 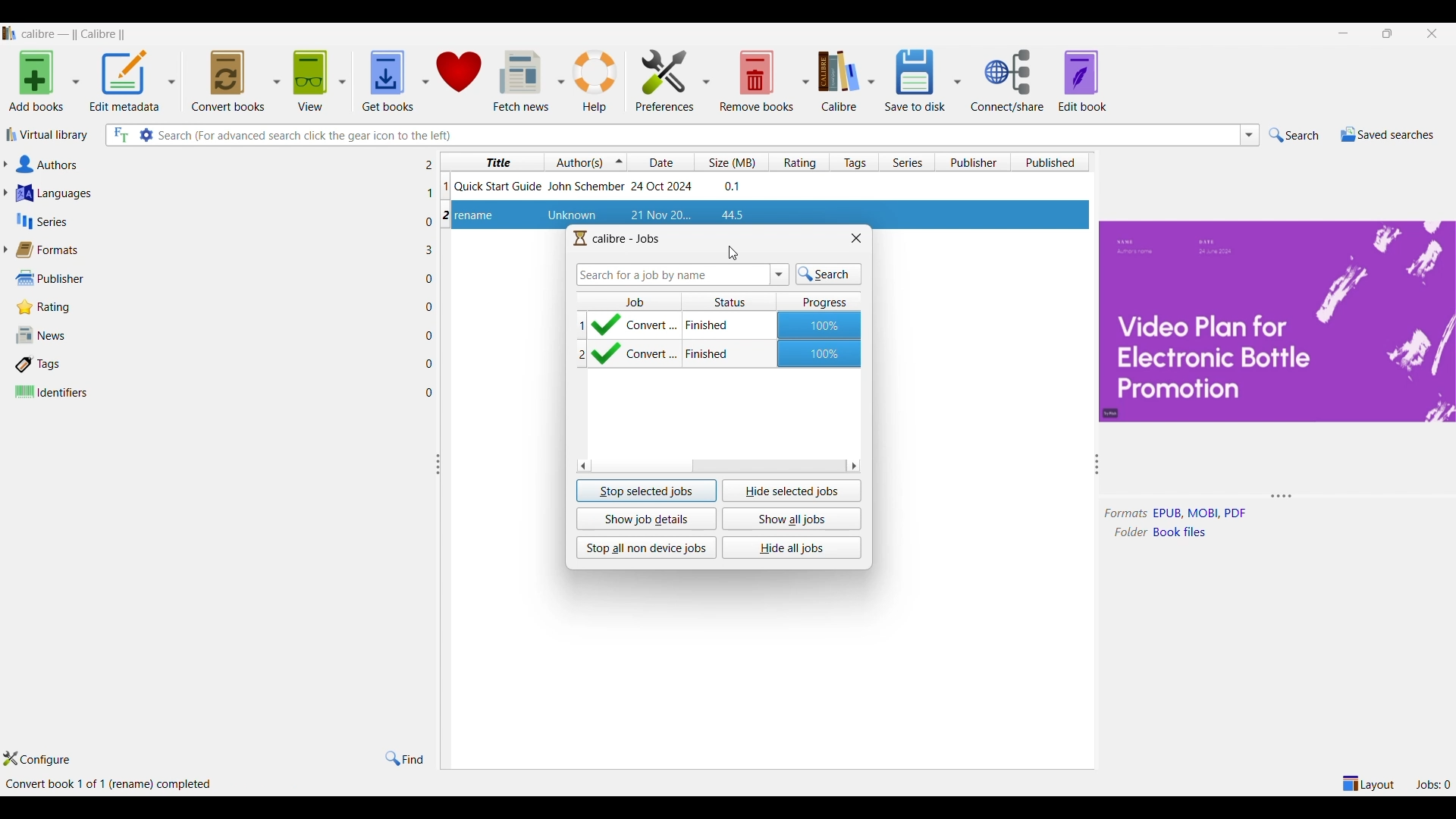 What do you see at coordinates (215, 250) in the screenshot?
I see `Formats` at bounding box center [215, 250].